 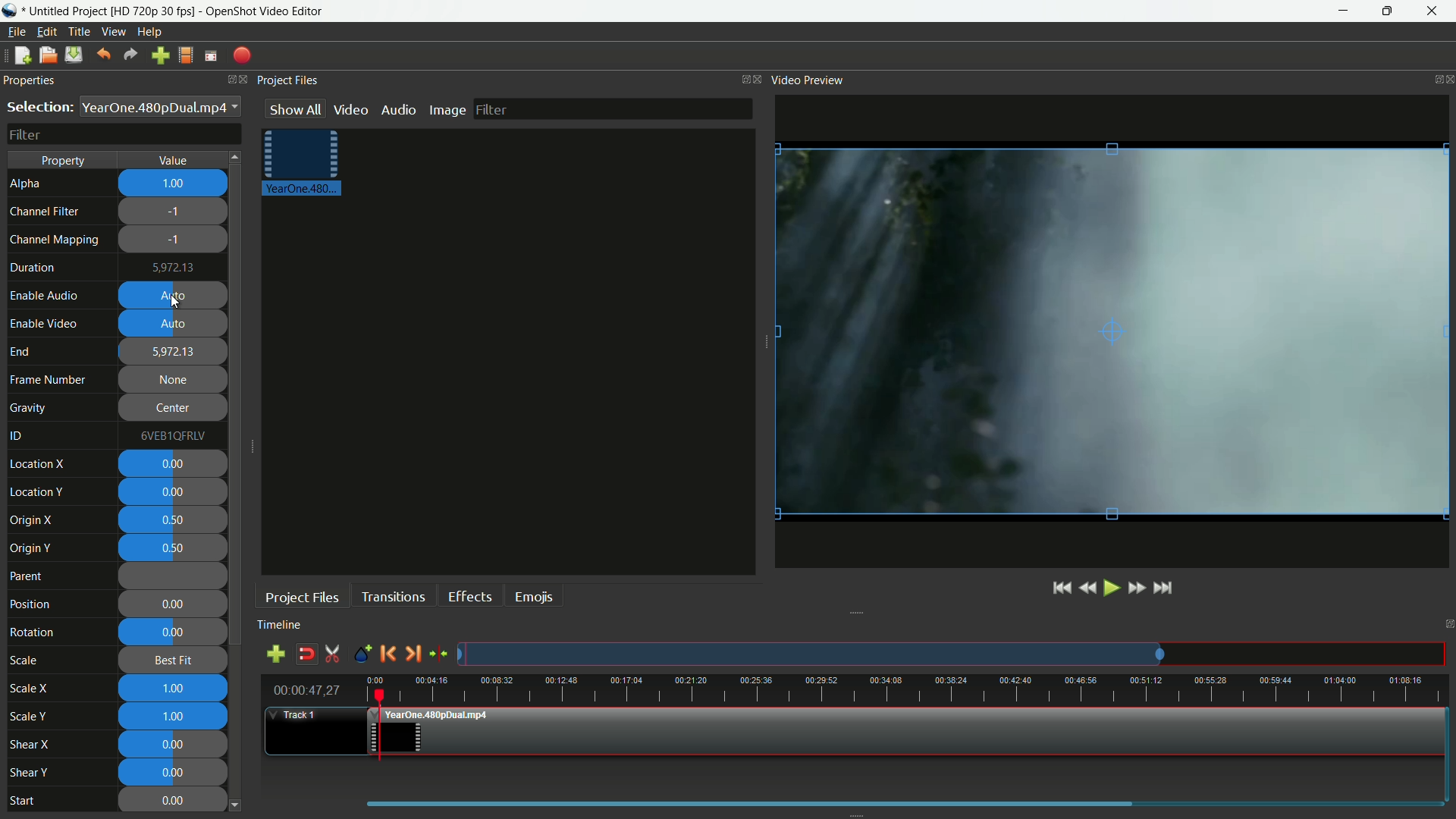 What do you see at coordinates (172, 633) in the screenshot?
I see `0.00` at bounding box center [172, 633].